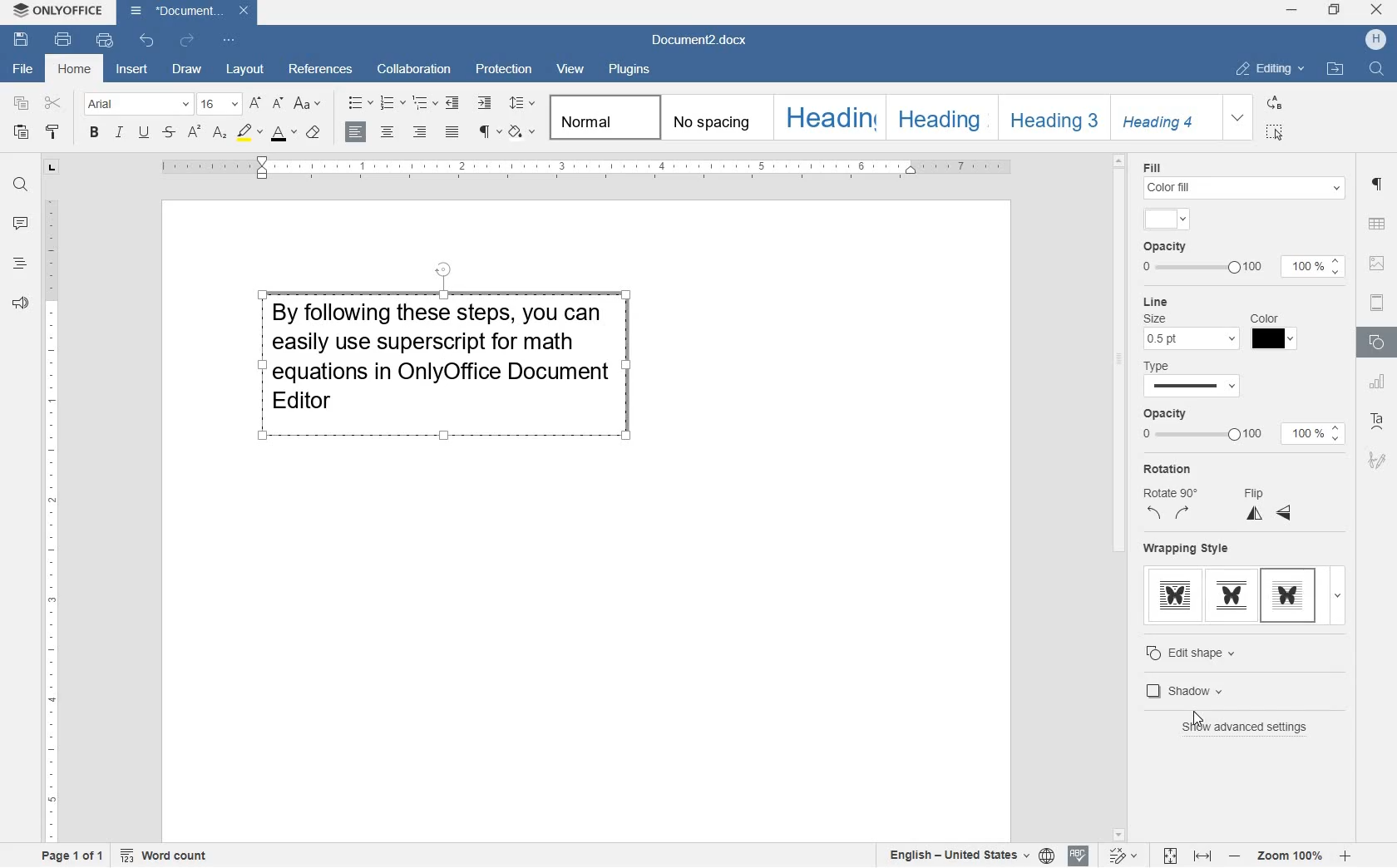 The image size is (1397, 868). Describe the element at coordinates (308, 104) in the screenshot. I see `change case` at that location.